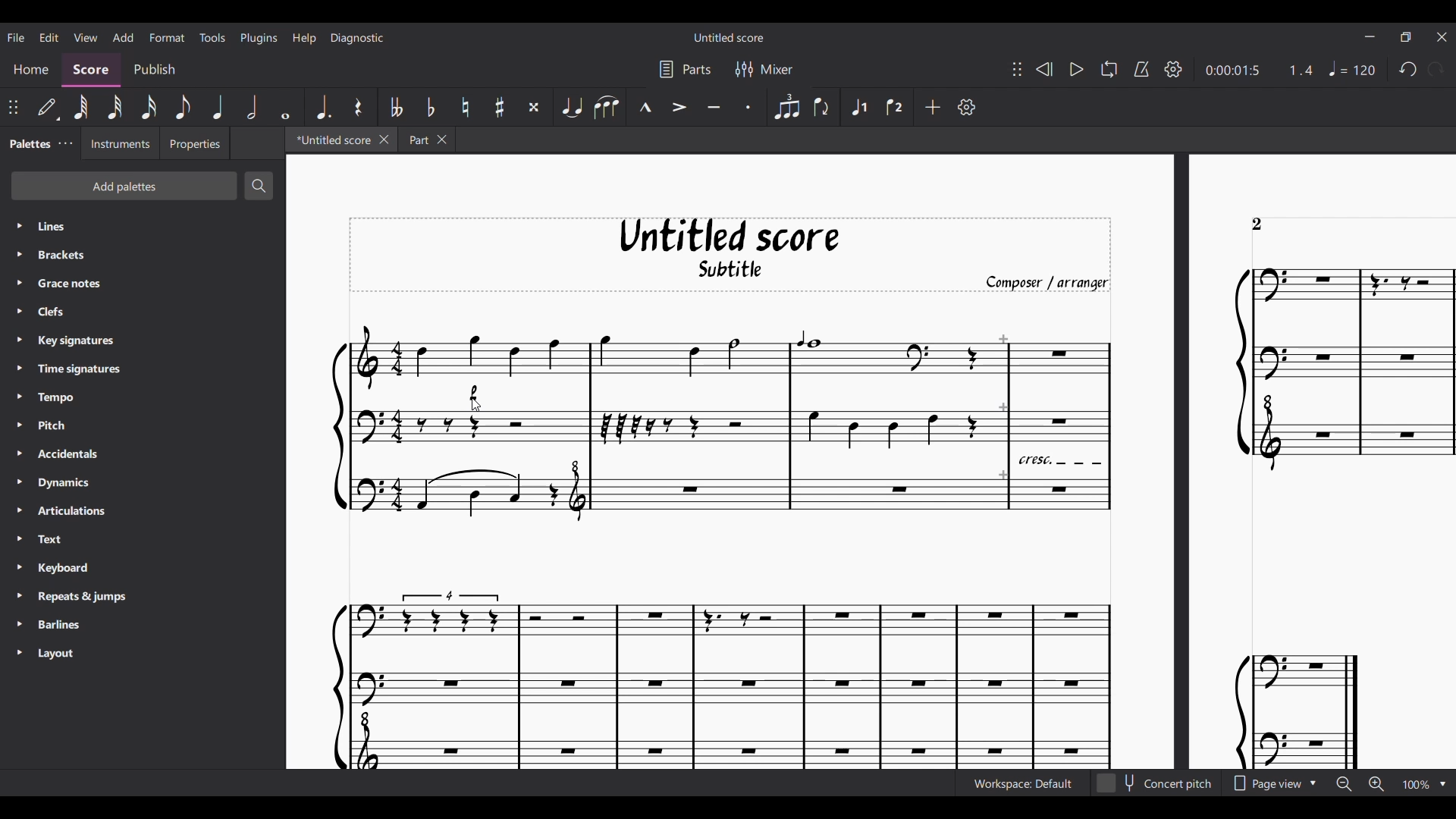  Describe the element at coordinates (19, 438) in the screenshot. I see `Expand respective palette` at that location.